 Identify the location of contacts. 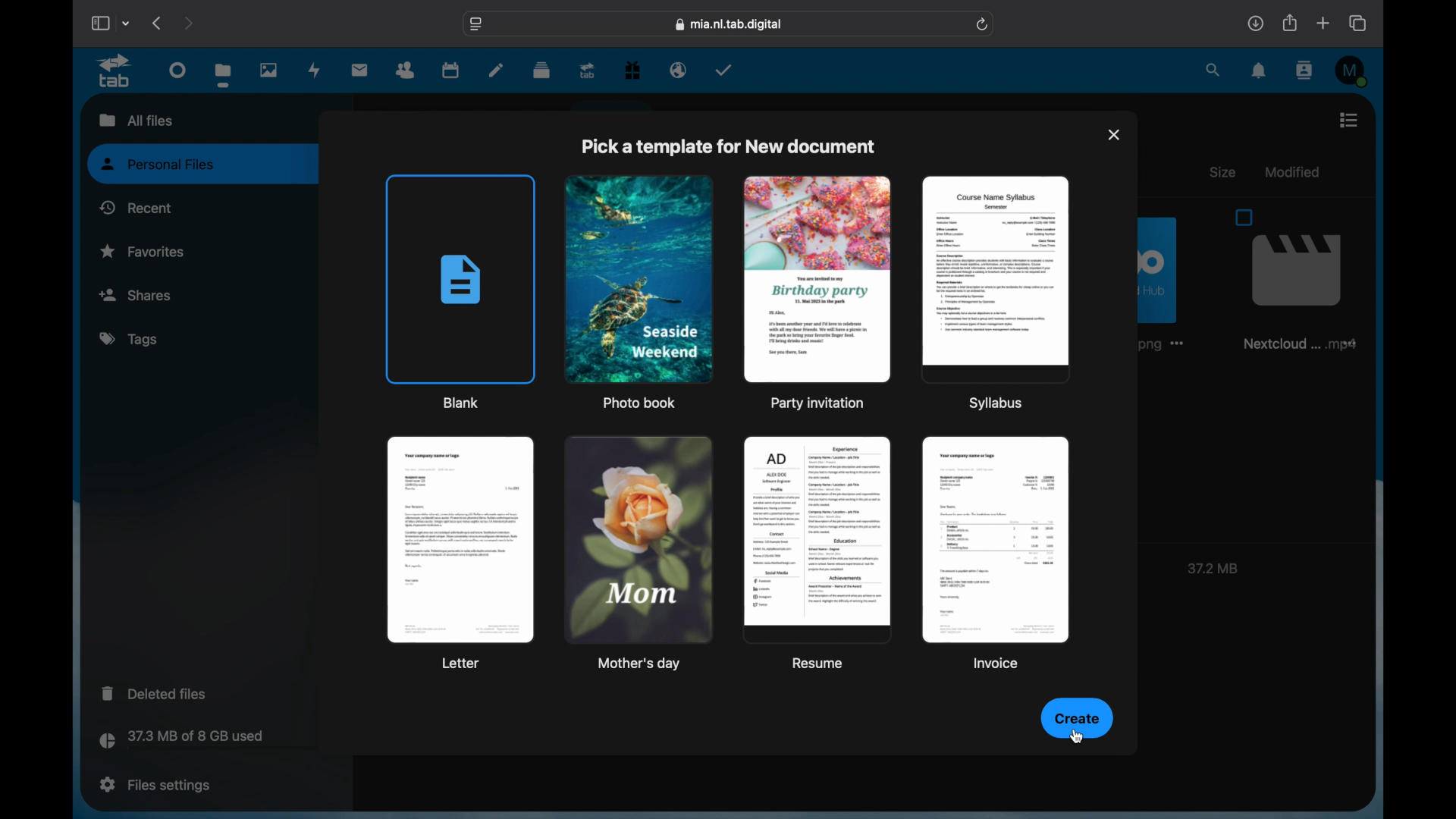
(406, 71).